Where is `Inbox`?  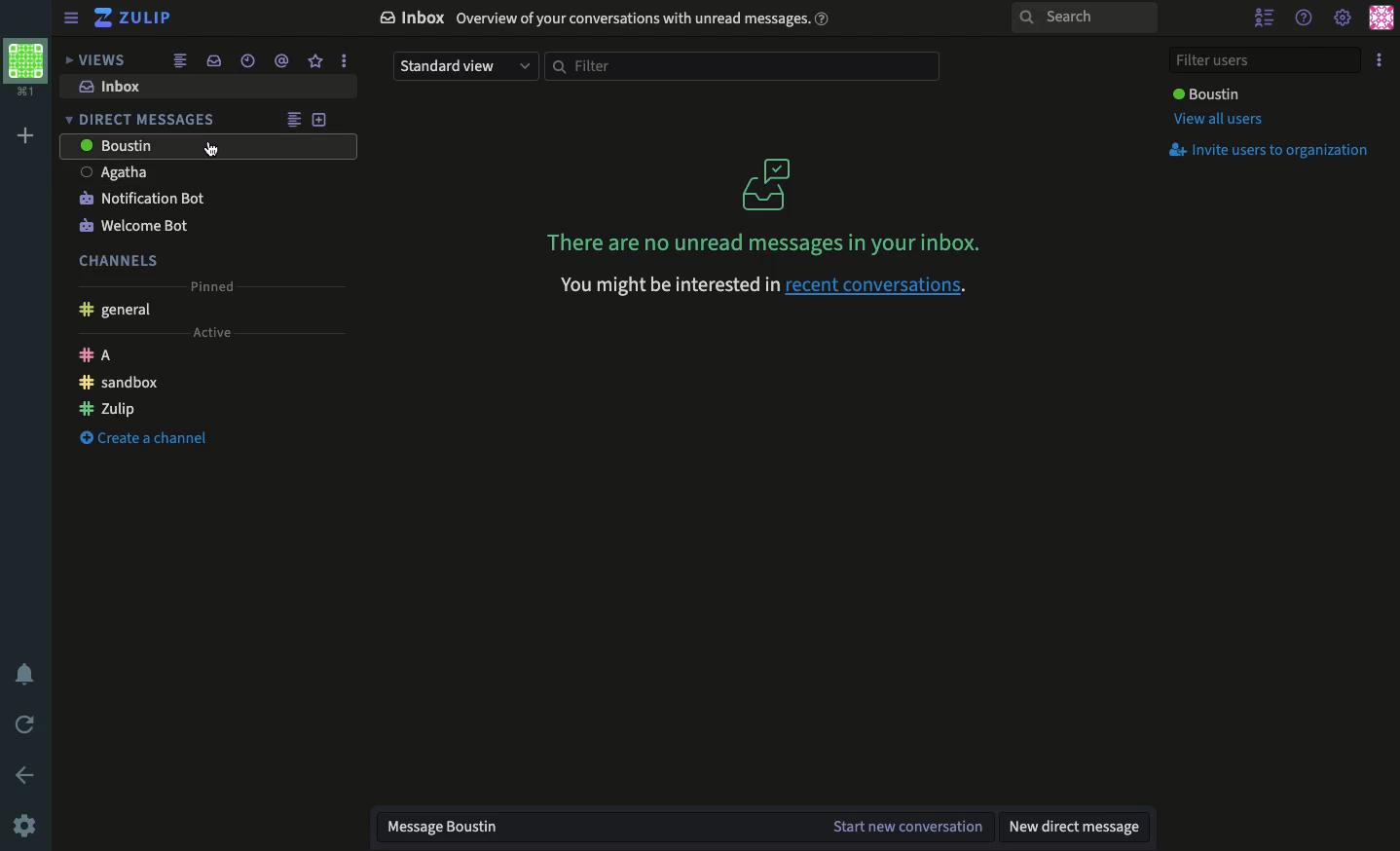
Inbox is located at coordinates (217, 62).